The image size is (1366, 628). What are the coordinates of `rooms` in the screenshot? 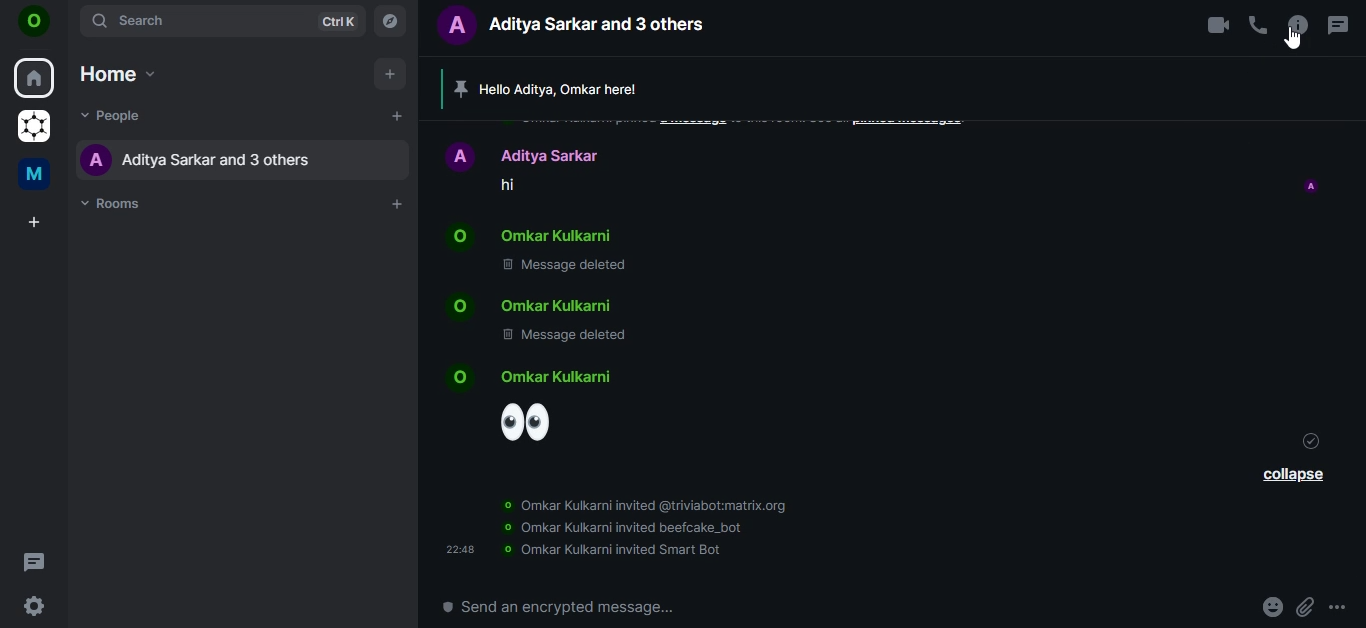 It's located at (115, 202).